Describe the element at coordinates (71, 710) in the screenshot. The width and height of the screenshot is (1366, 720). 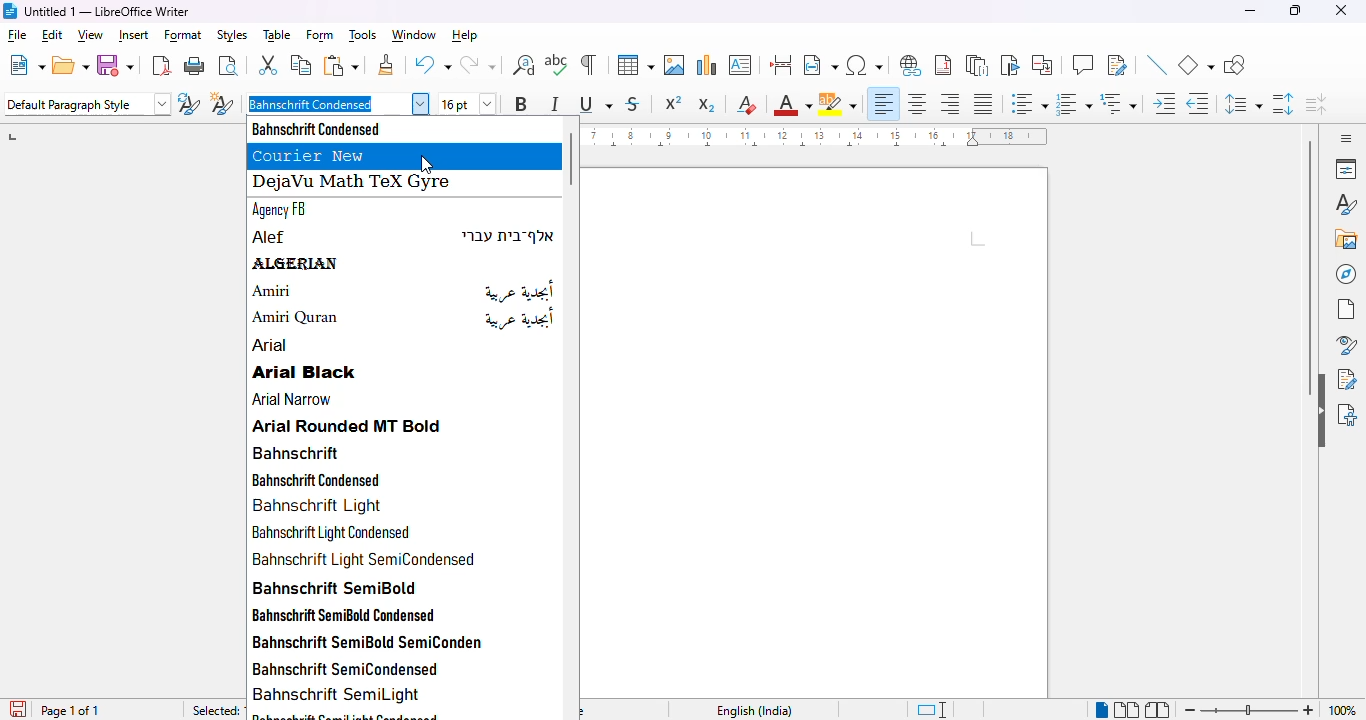
I see `page of 1 of 1` at that location.